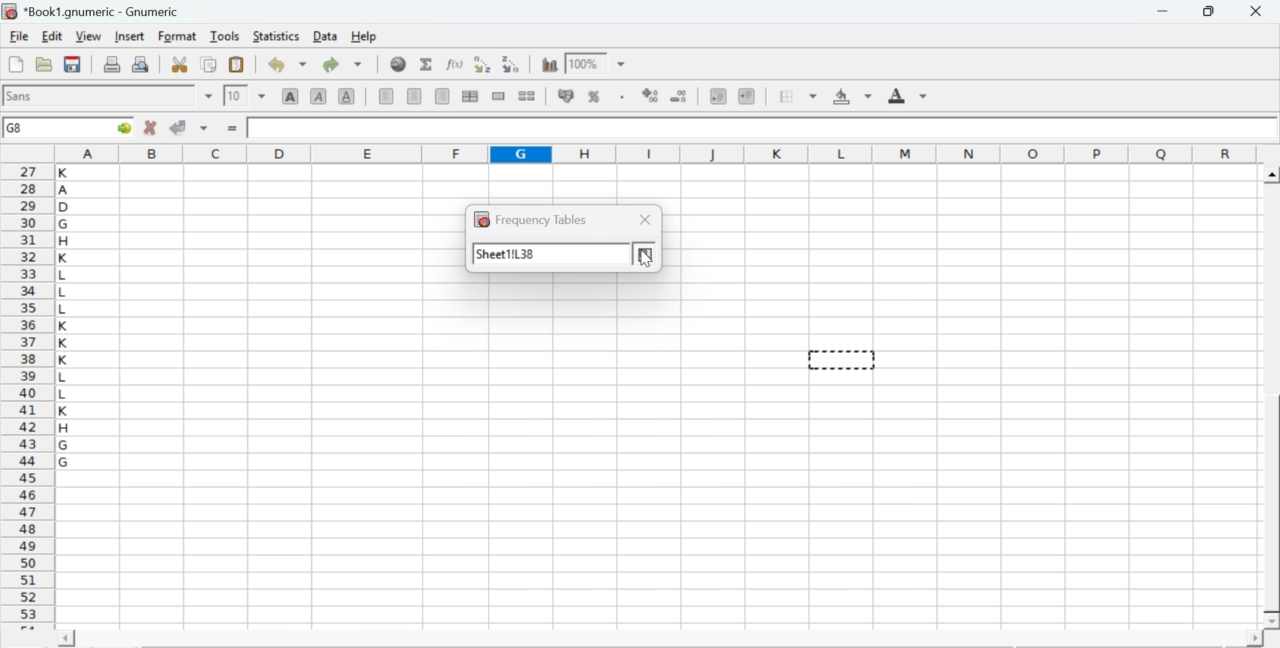 The width and height of the screenshot is (1280, 648). What do you see at coordinates (88, 35) in the screenshot?
I see `view` at bounding box center [88, 35].